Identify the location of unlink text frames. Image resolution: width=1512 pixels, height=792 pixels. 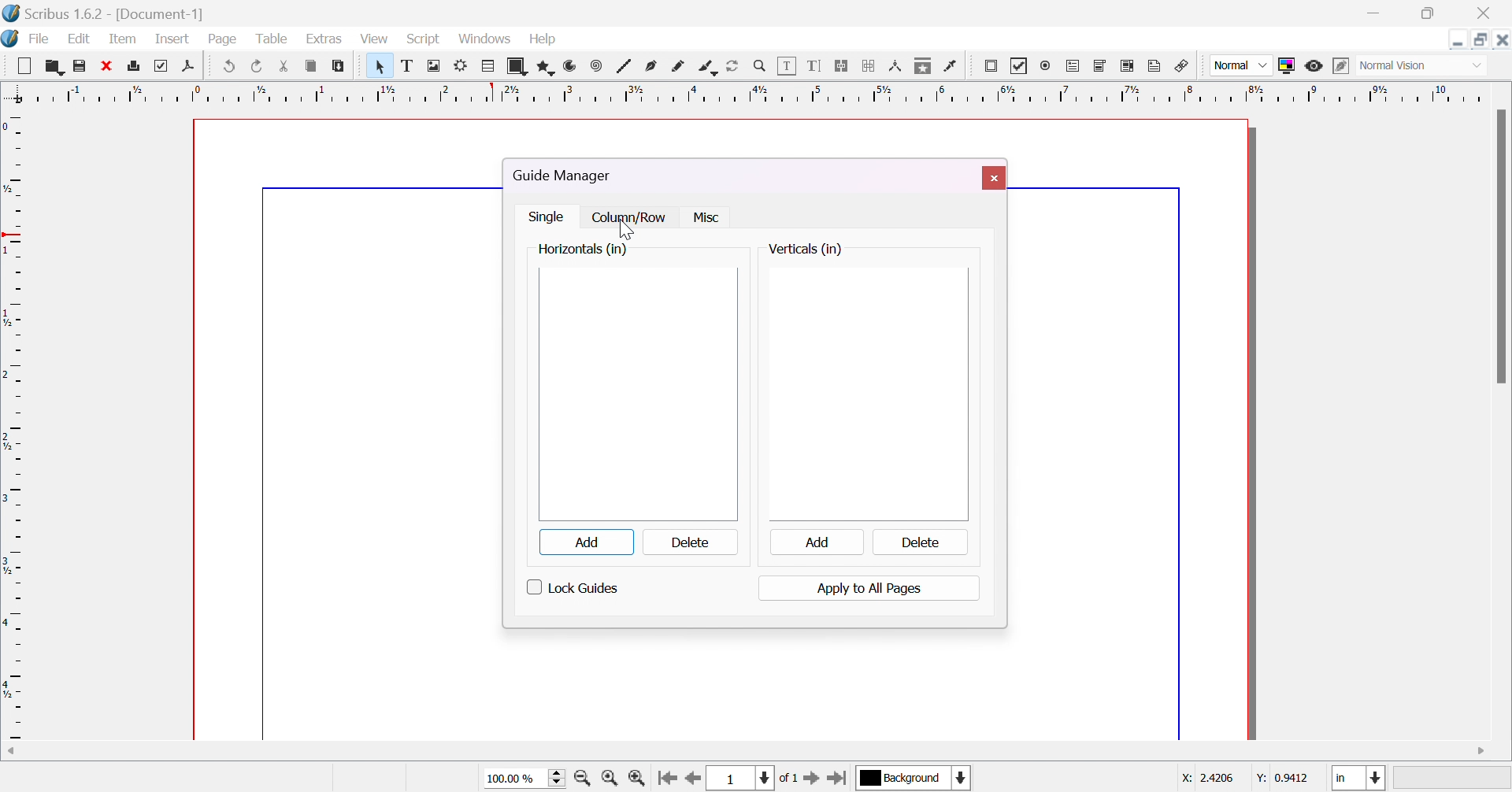
(869, 66).